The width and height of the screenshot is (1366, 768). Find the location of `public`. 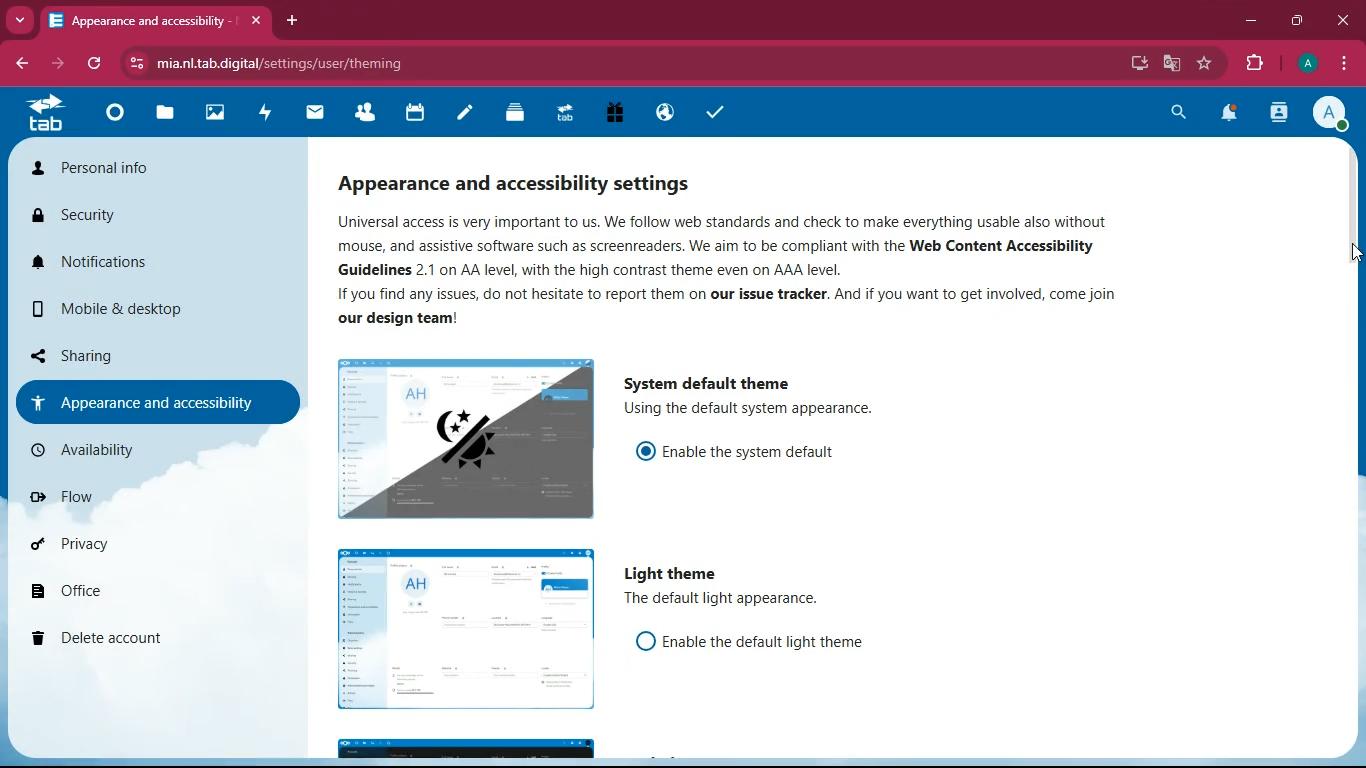

public is located at coordinates (668, 114).